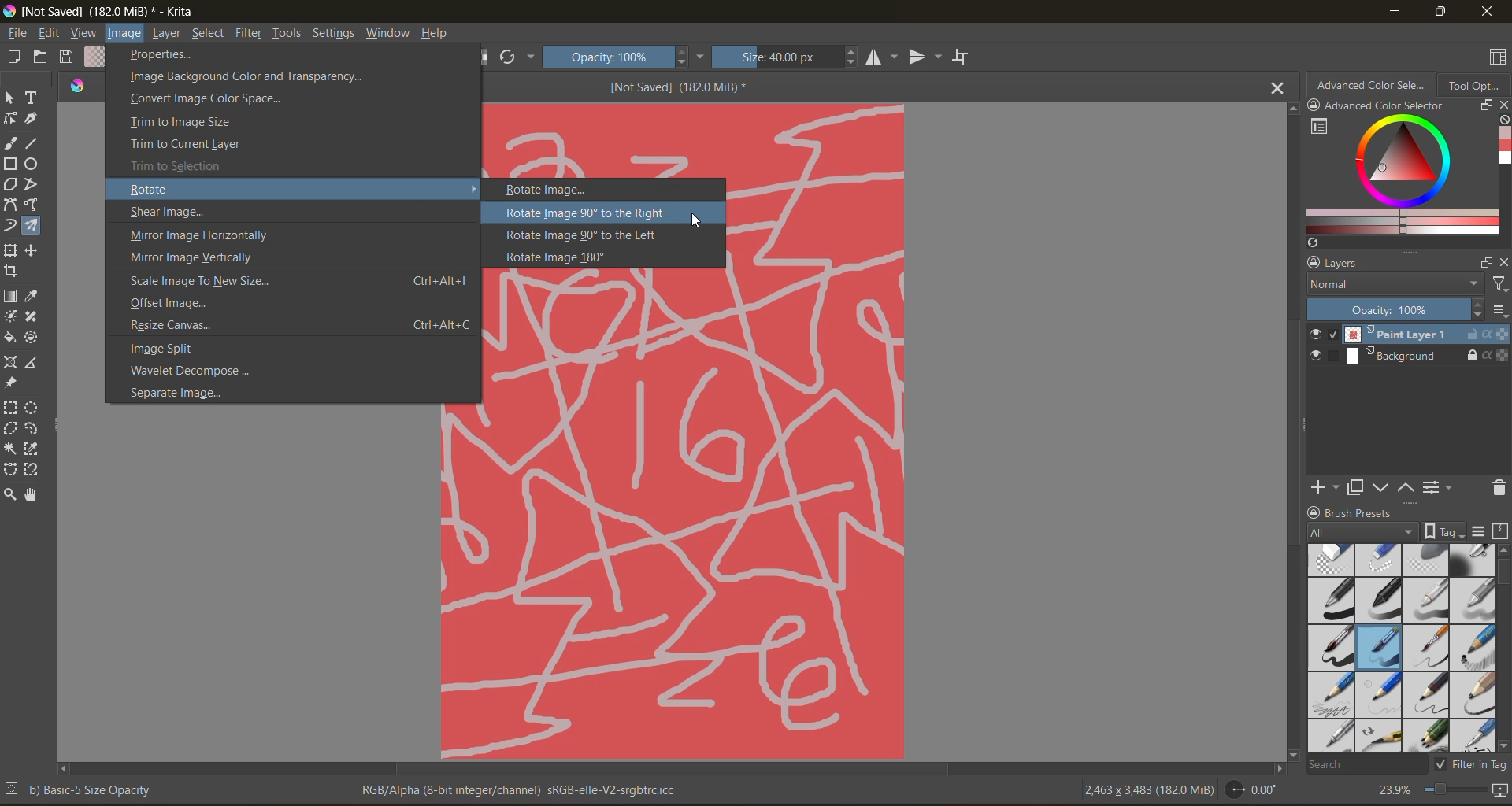  I want to click on vertical scroll bar, so click(1295, 445).